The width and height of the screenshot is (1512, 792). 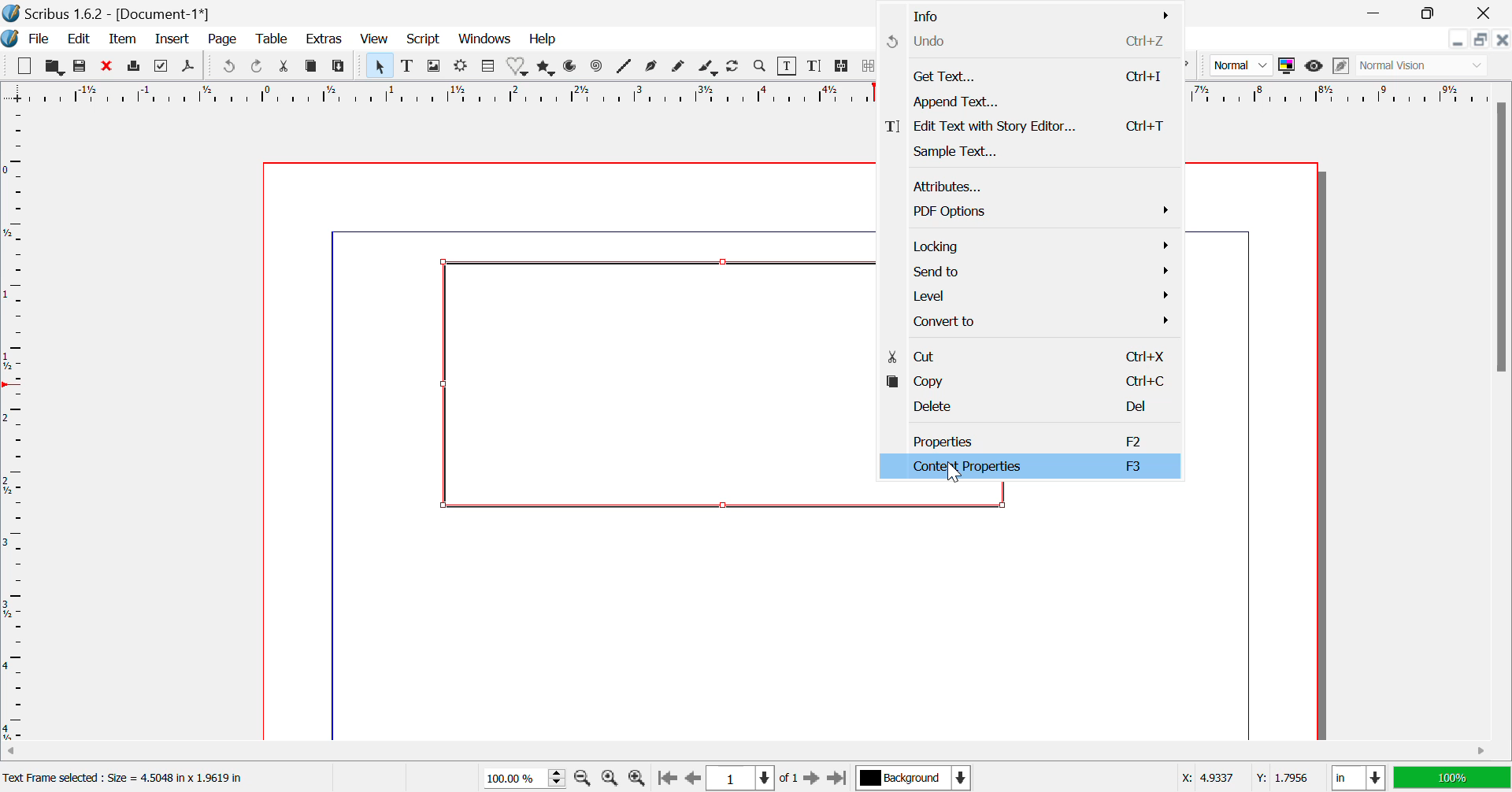 I want to click on Toggle Color Display, so click(x=1289, y=67).